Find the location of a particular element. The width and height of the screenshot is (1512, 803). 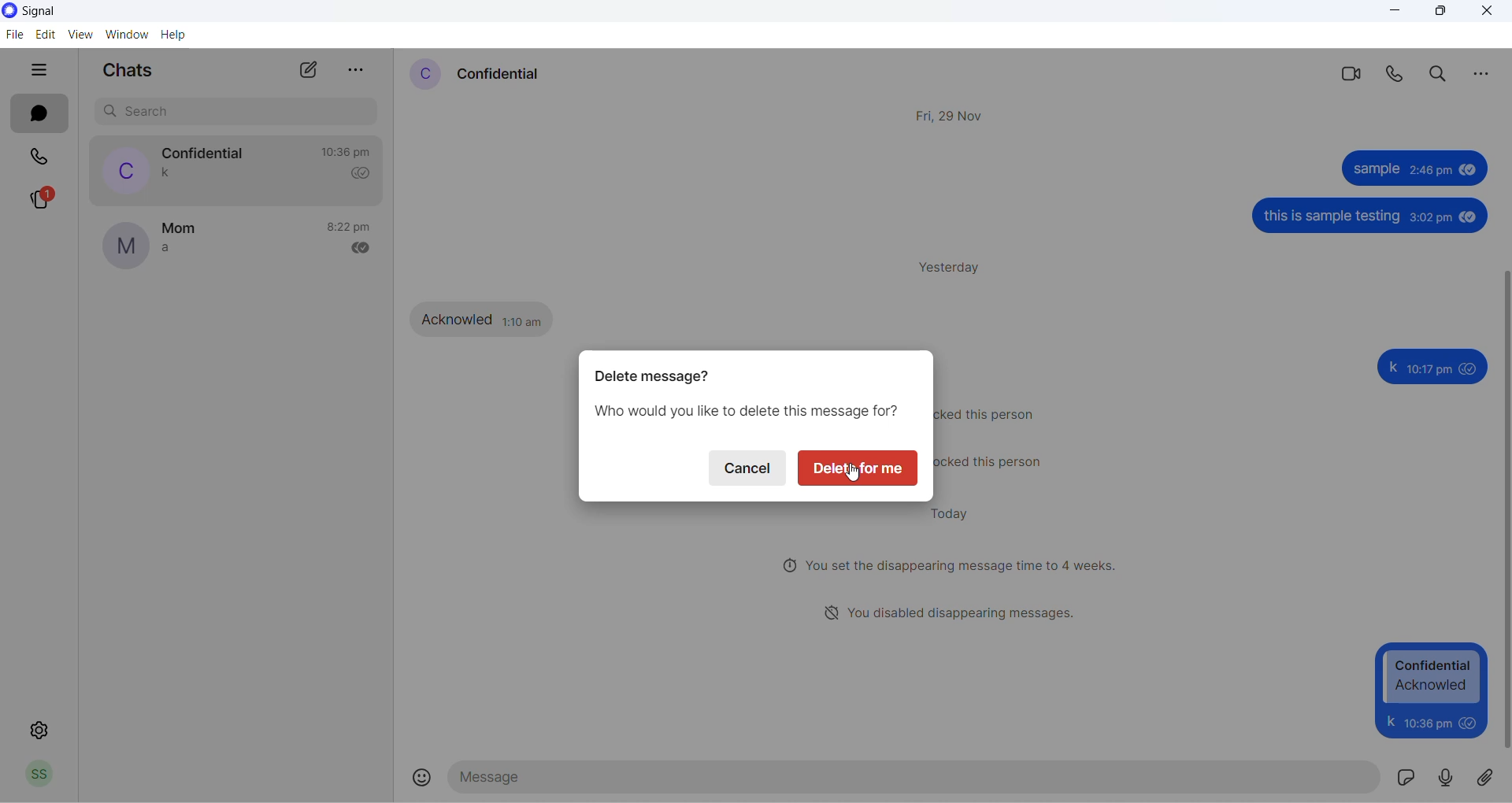

read recipient is located at coordinates (362, 246).